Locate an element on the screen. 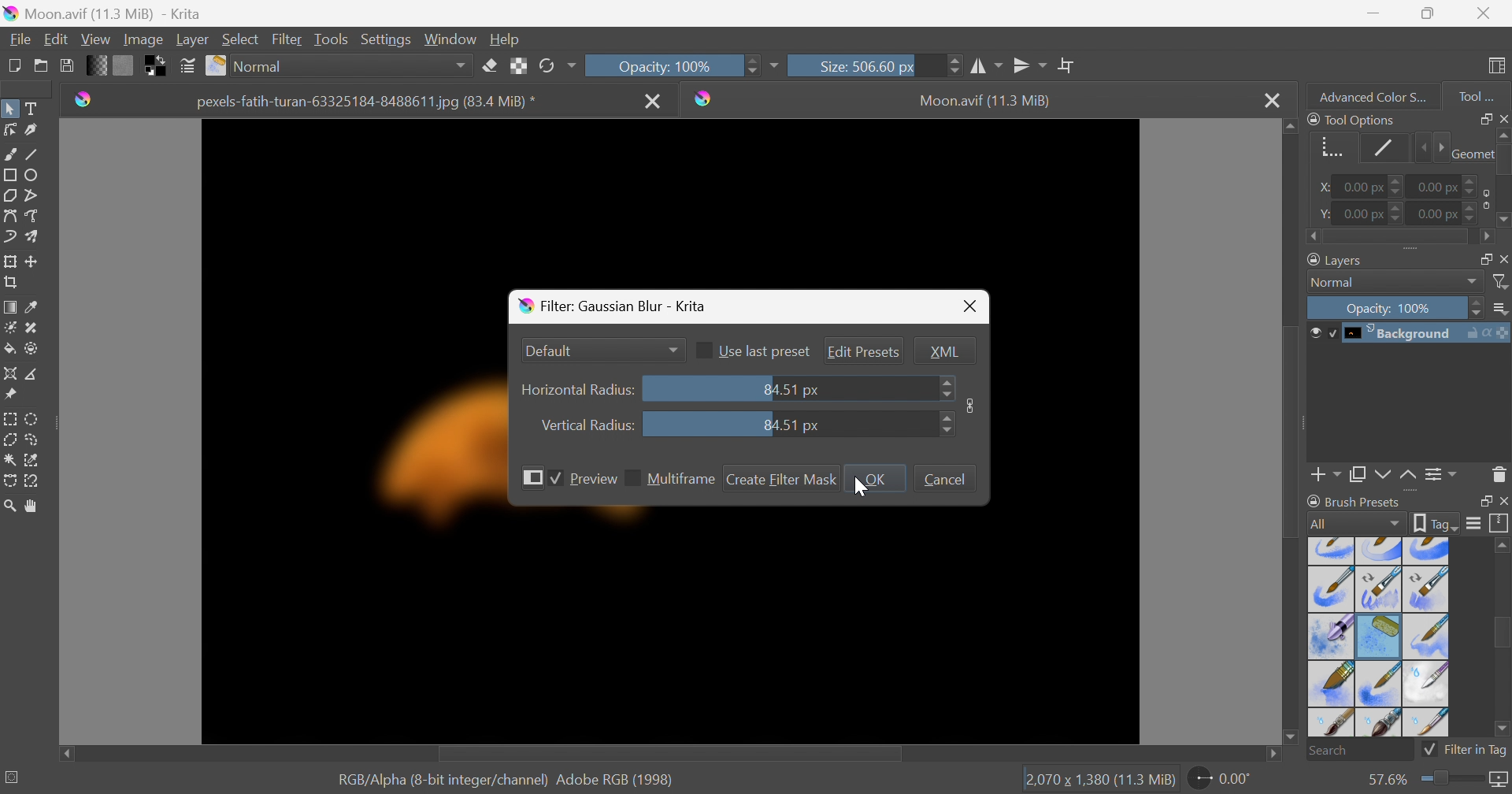 The image size is (1512, 794). Freehand path tool is located at coordinates (32, 216).